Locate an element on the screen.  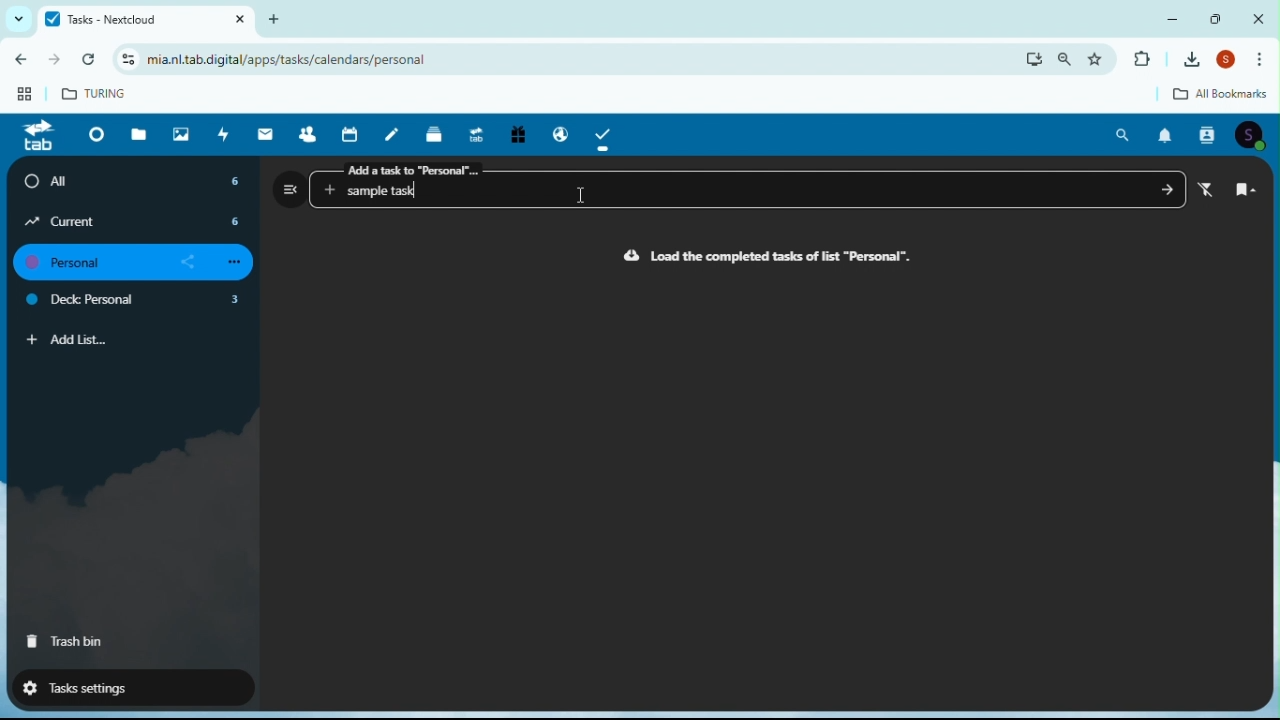
Add list is located at coordinates (68, 340).